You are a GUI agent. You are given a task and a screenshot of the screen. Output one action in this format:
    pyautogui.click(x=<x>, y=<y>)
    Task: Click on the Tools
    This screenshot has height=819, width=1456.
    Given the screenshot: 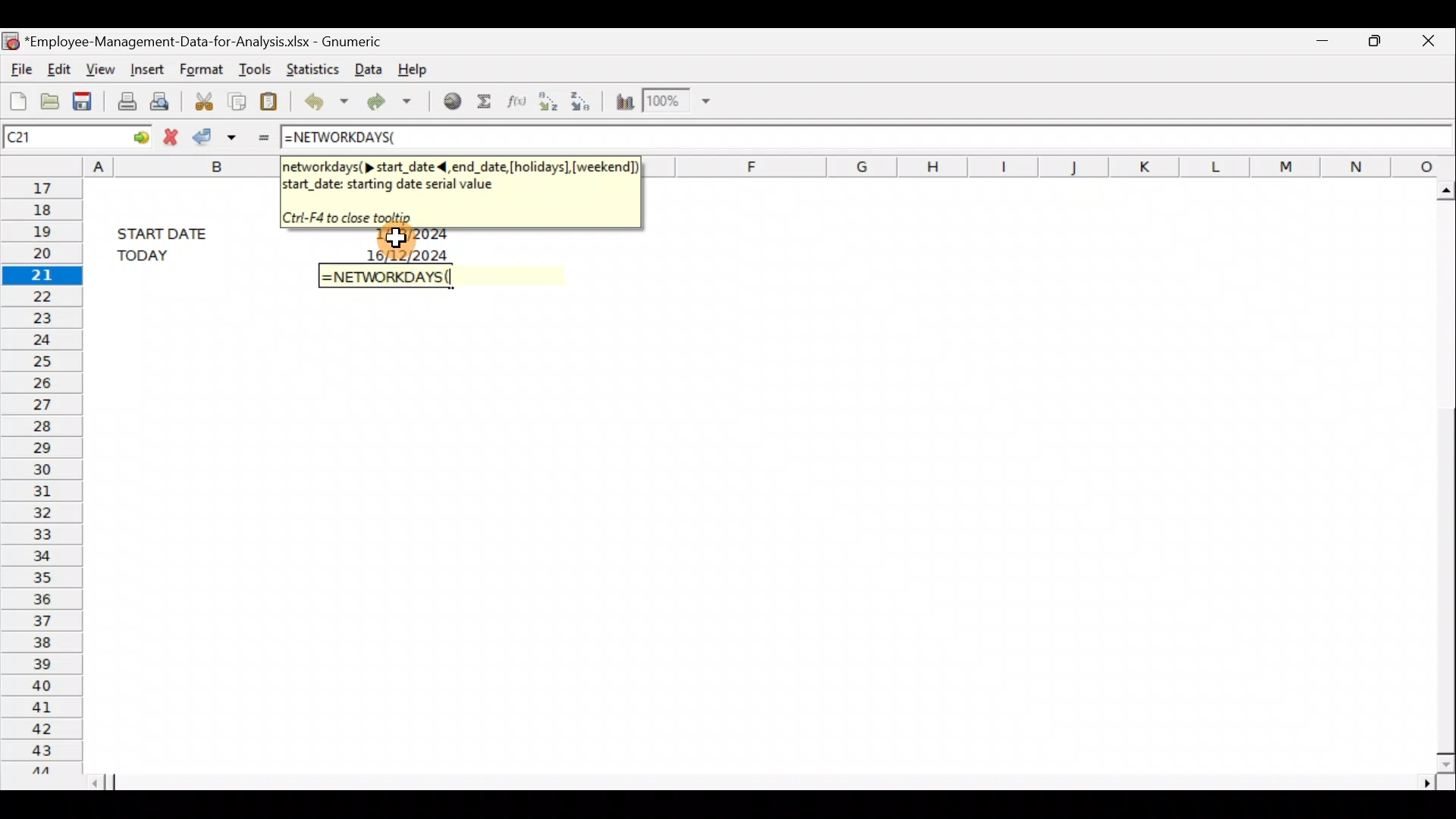 What is the action you would take?
    pyautogui.click(x=253, y=65)
    